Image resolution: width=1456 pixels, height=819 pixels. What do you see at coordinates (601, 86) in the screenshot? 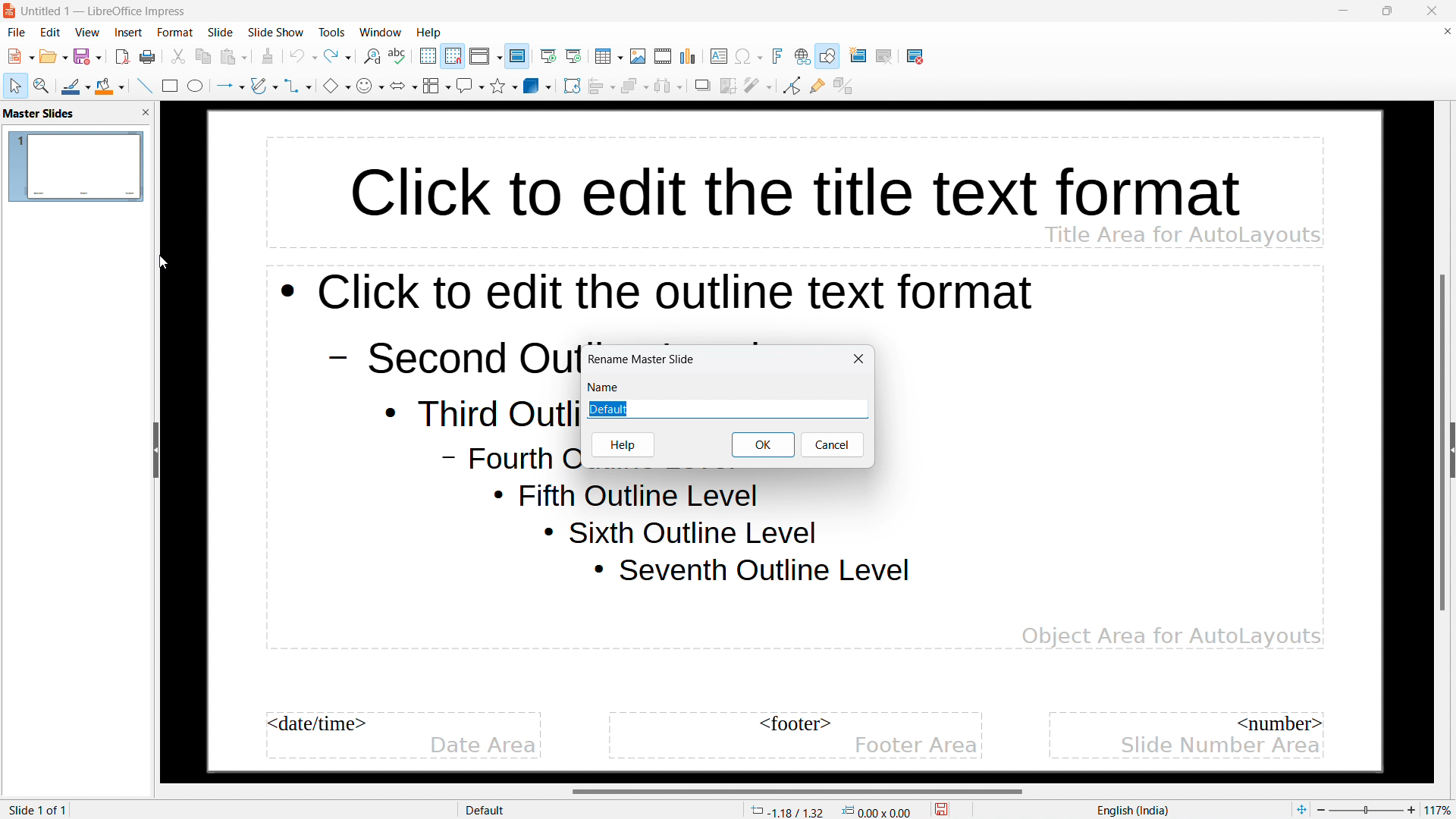
I see `align objects` at bounding box center [601, 86].